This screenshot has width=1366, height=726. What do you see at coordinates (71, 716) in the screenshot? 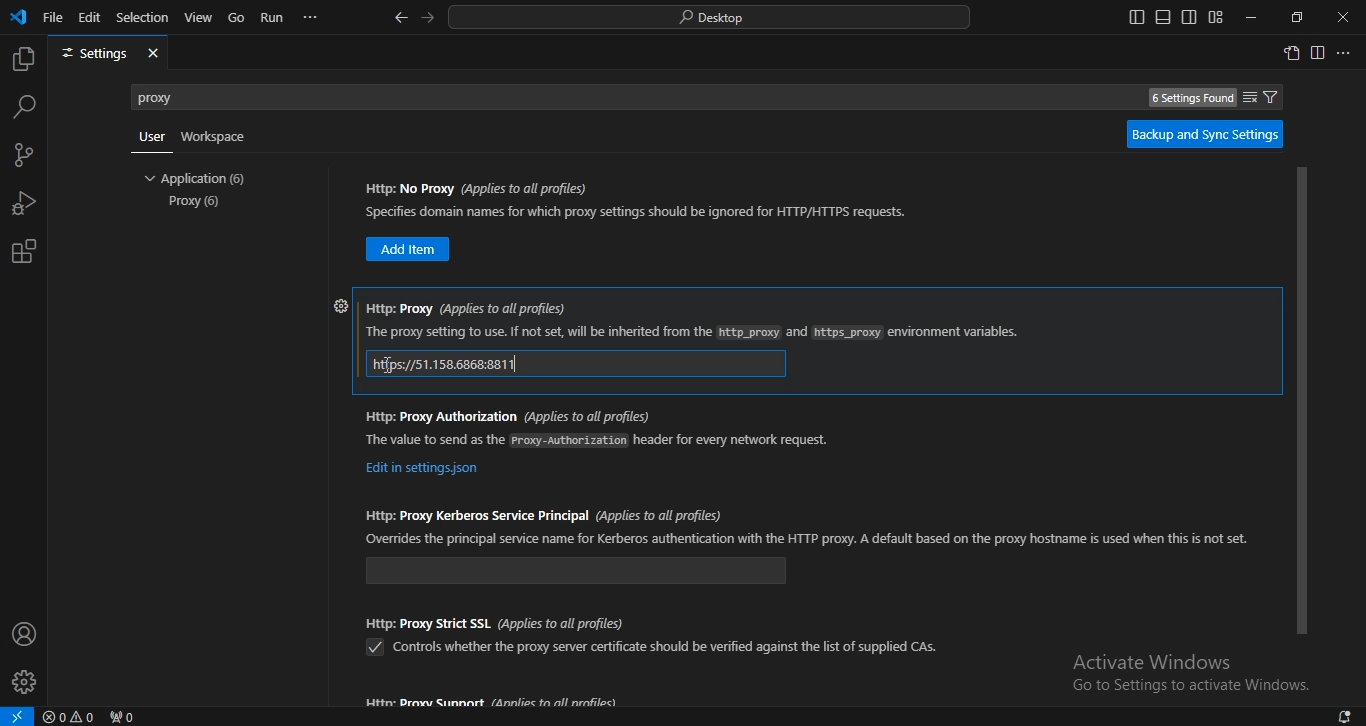
I see `No problems` at bounding box center [71, 716].